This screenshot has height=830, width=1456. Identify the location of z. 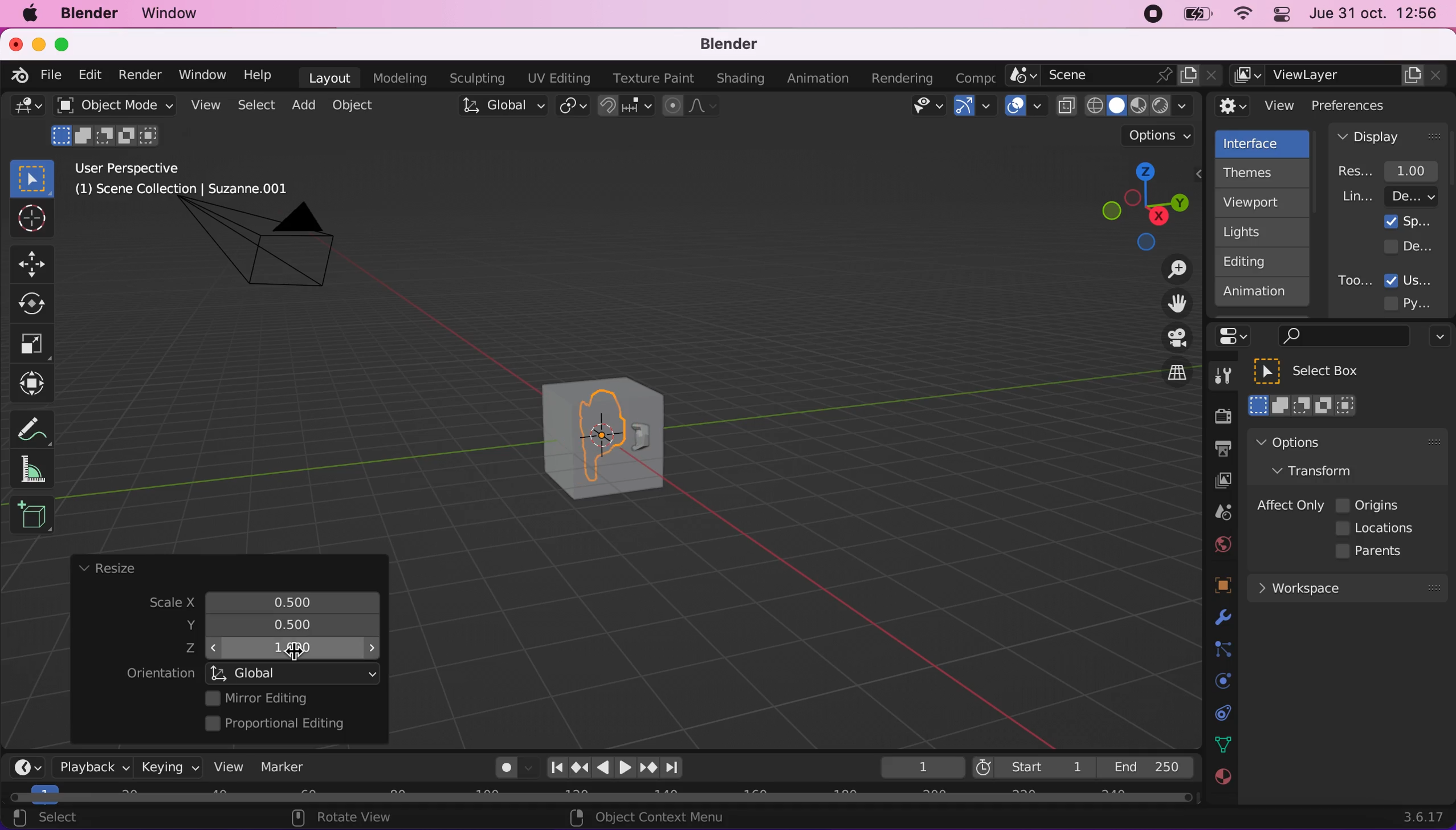
(281, 648).